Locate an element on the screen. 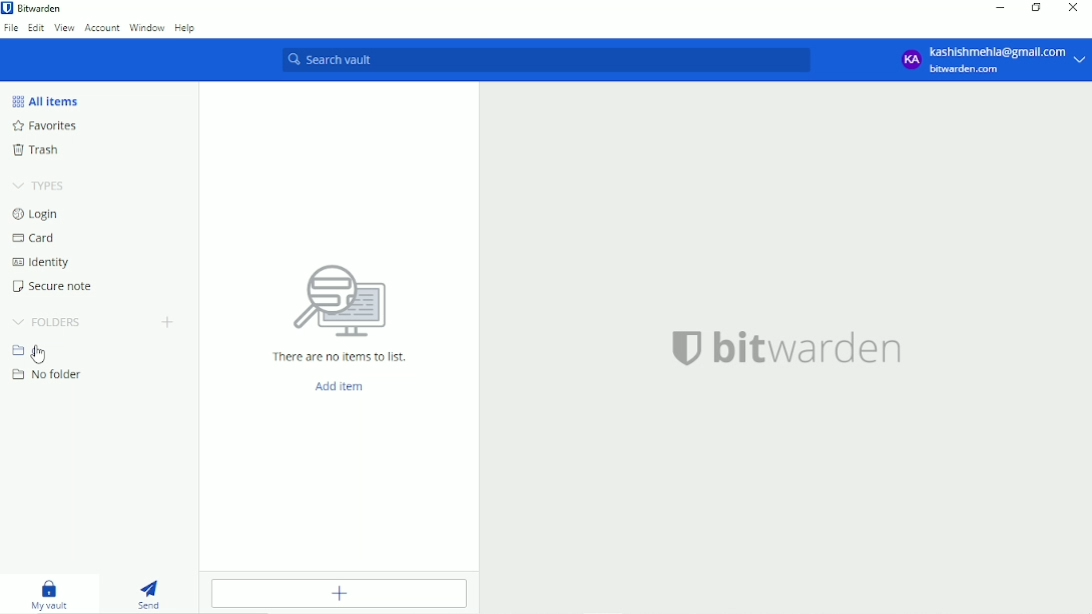  All items is located at coordinates (42, 101).